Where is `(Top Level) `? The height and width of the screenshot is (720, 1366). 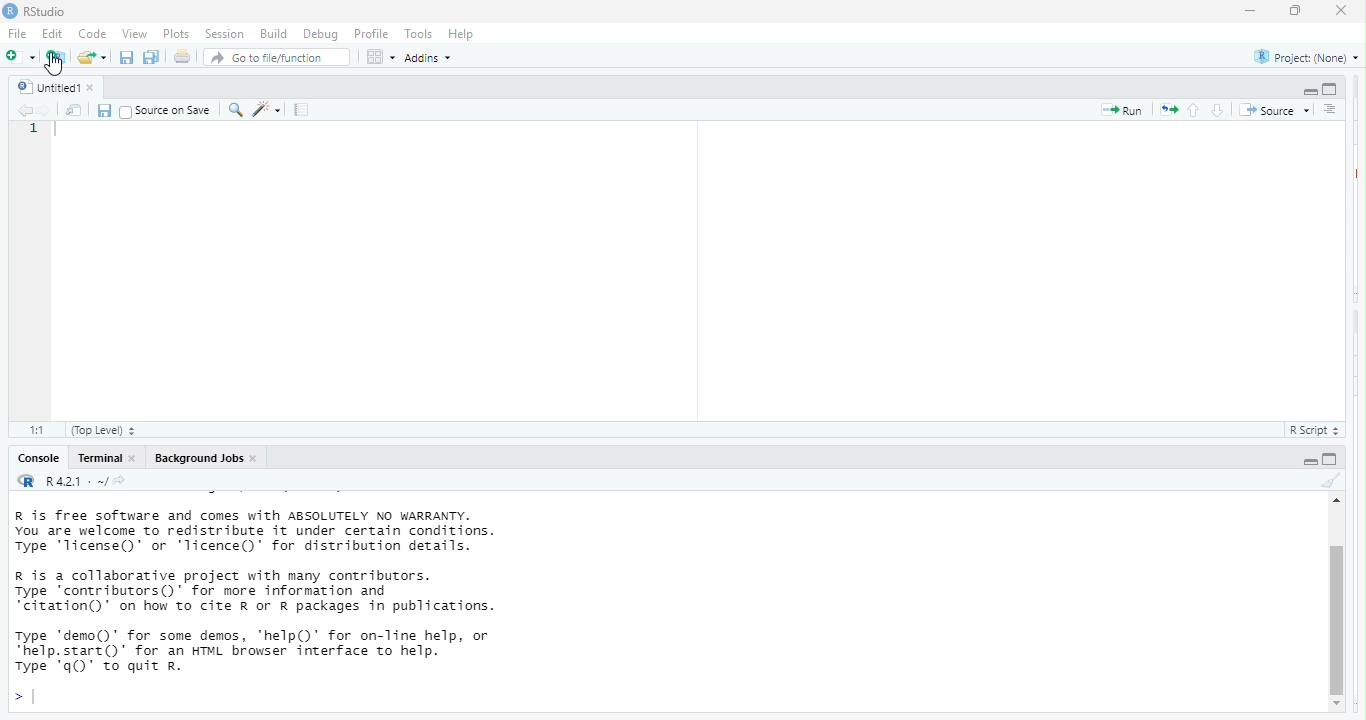 (Top Level)  is located at coordinates (104, 431).